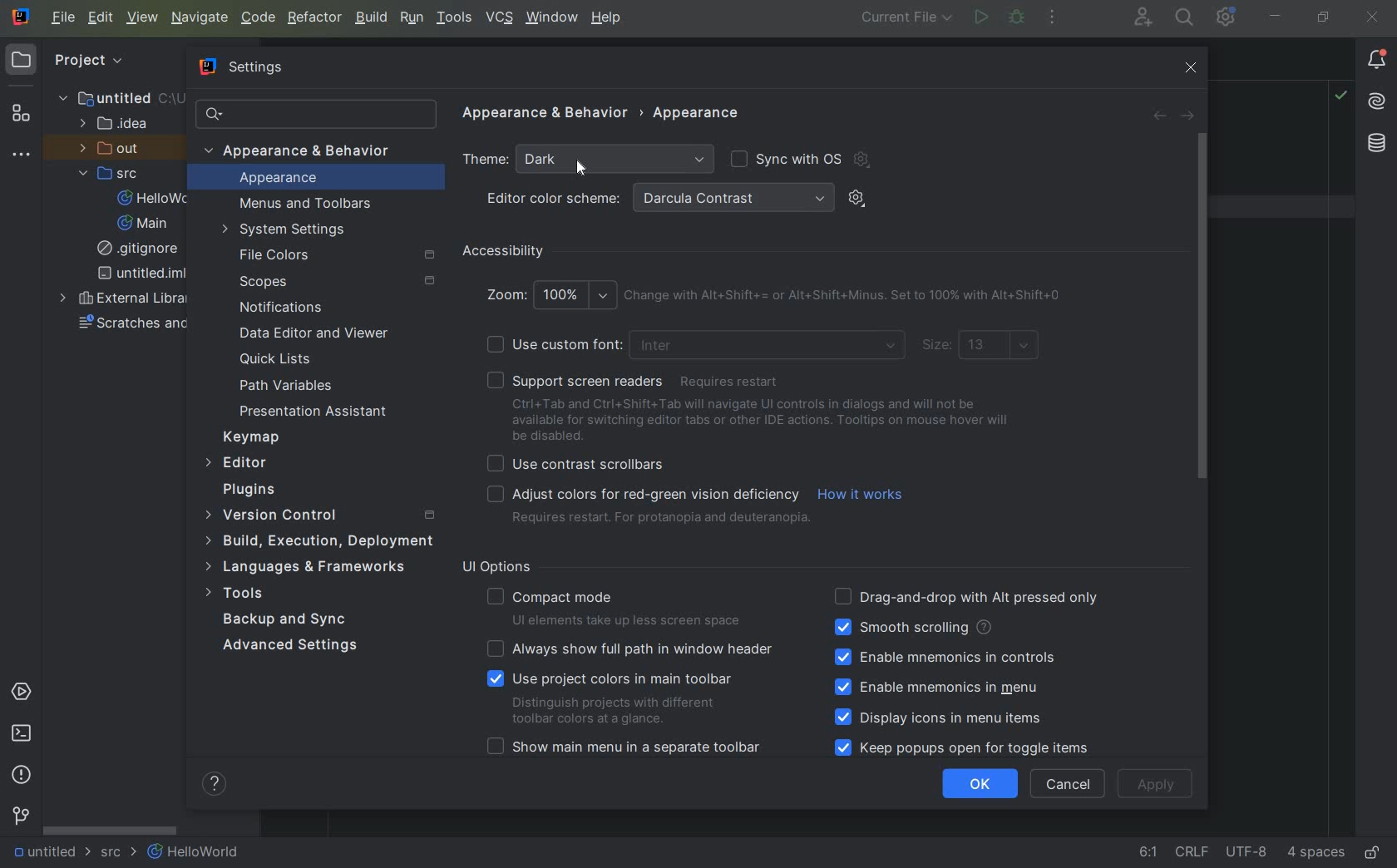 This screenshot has height=868, width=1397. Describe the element at coordinates (633, 649) in the screenshot. I see `always show full path in window header` at that location.